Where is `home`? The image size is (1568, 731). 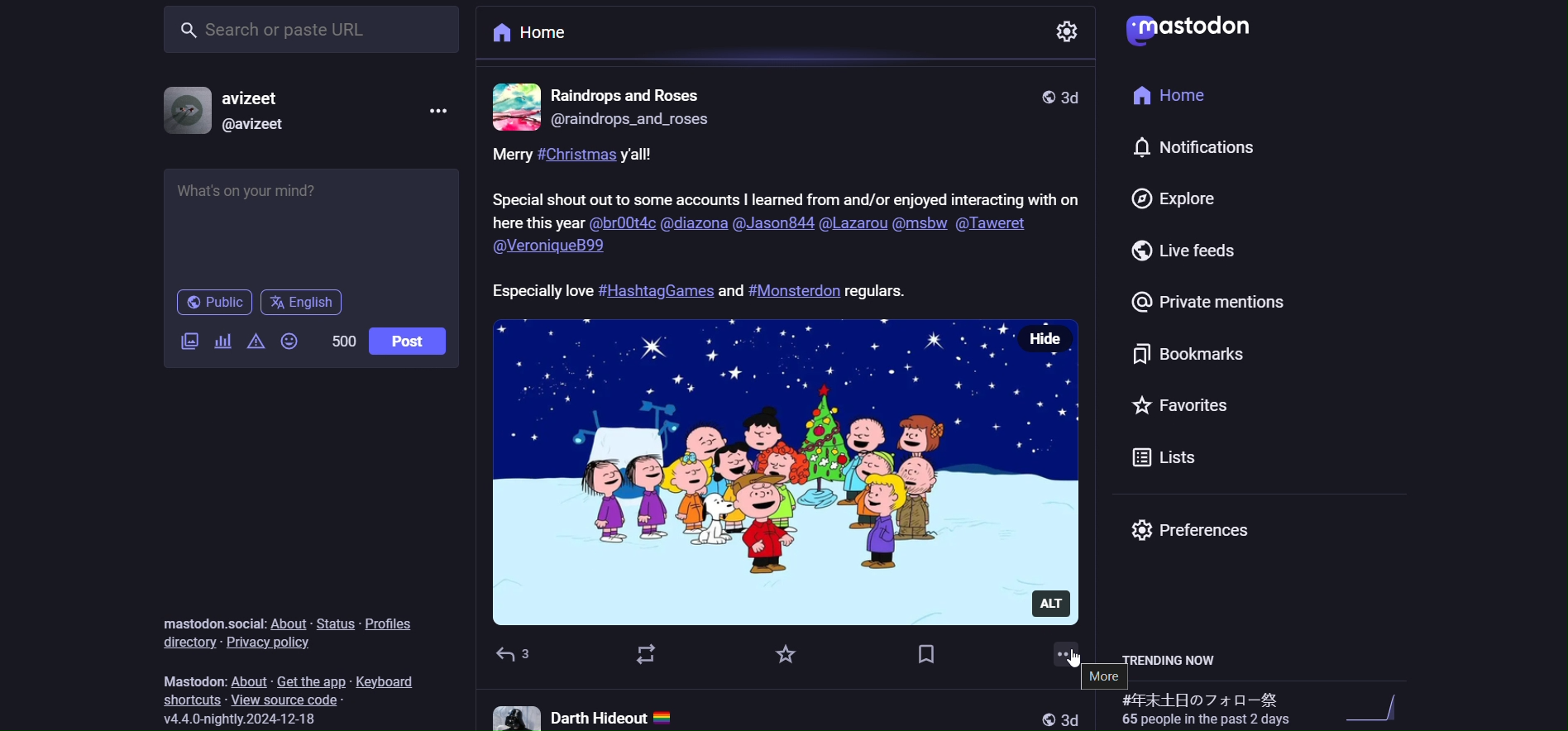
home is located at coordinates (1172, 95).